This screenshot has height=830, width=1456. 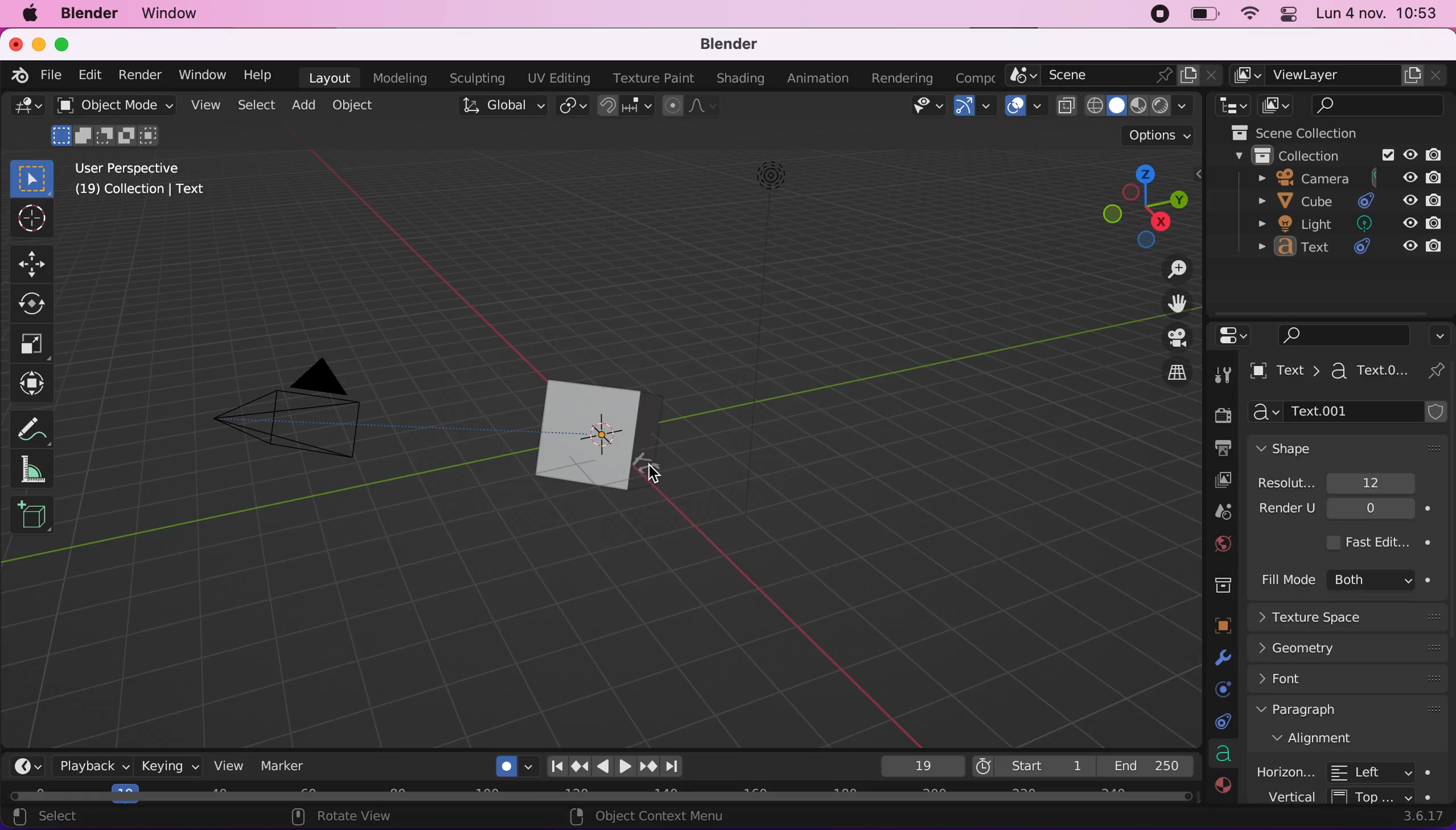 I want to click on texture paint, so click(x=656, y=76).